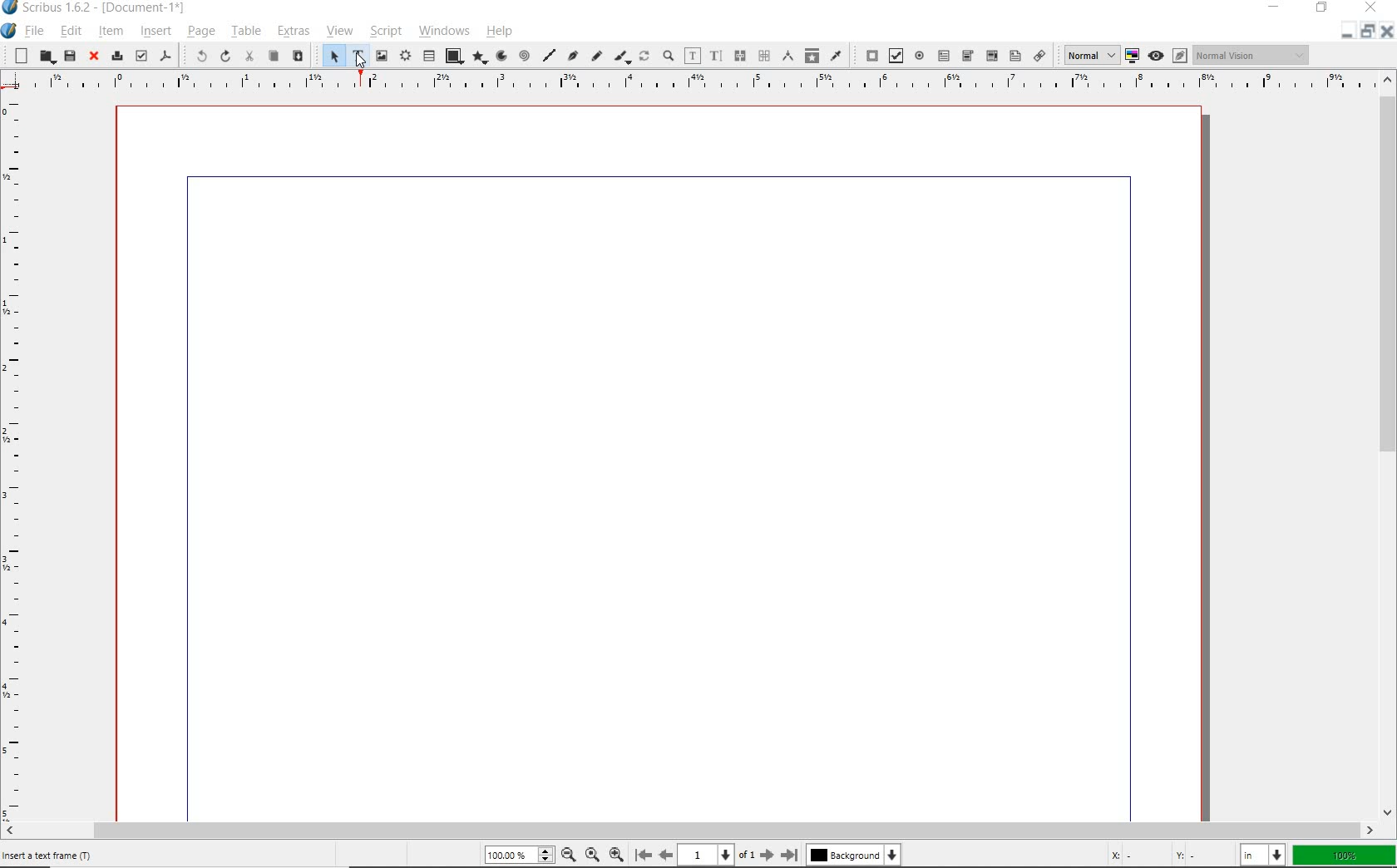  Describe the element at coordinates (1041, 57) in the screenshot. I see `link annotation` at that location.